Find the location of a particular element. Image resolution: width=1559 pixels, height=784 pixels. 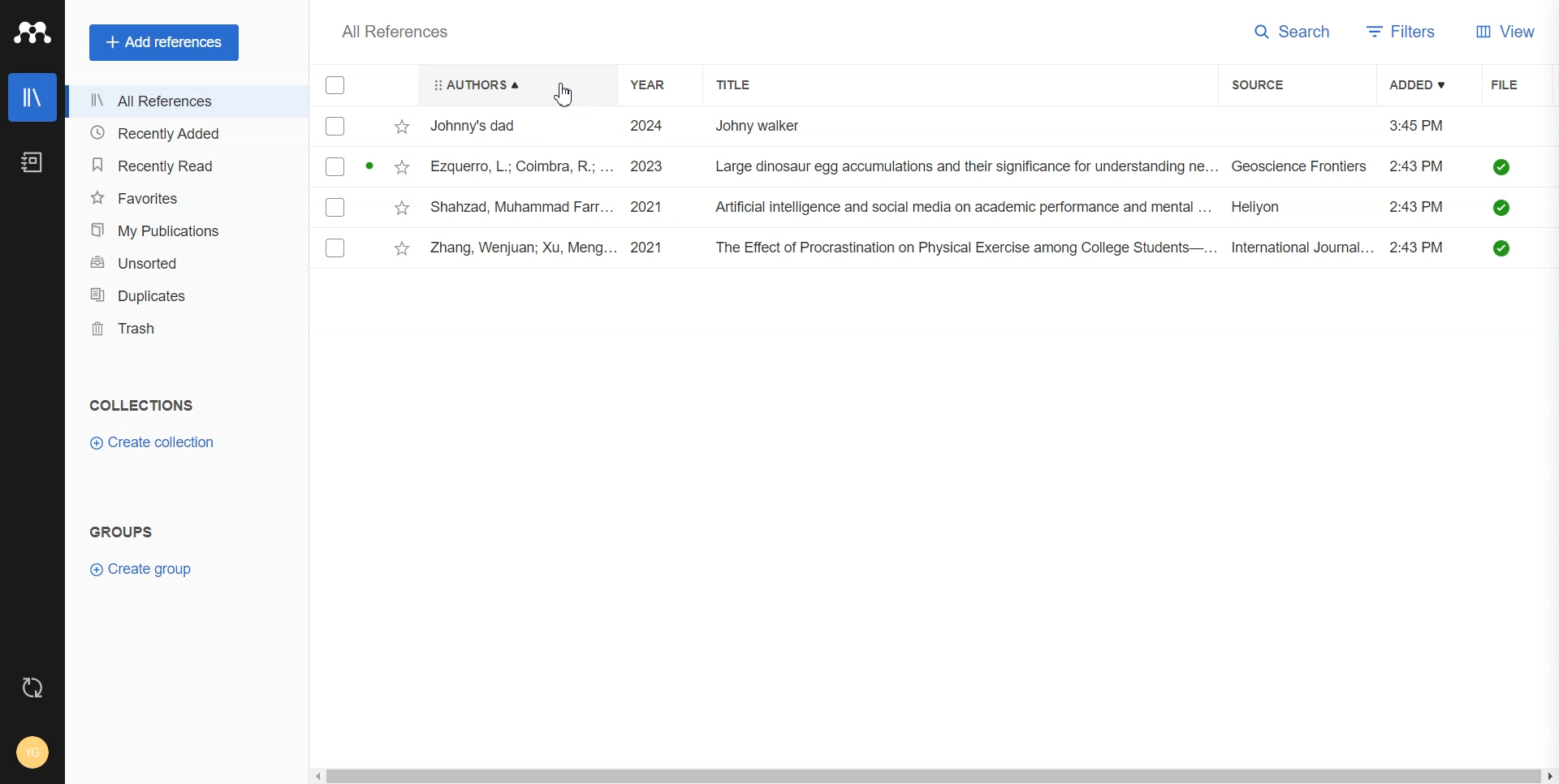

(un)select is located at coordinates (335, 249).